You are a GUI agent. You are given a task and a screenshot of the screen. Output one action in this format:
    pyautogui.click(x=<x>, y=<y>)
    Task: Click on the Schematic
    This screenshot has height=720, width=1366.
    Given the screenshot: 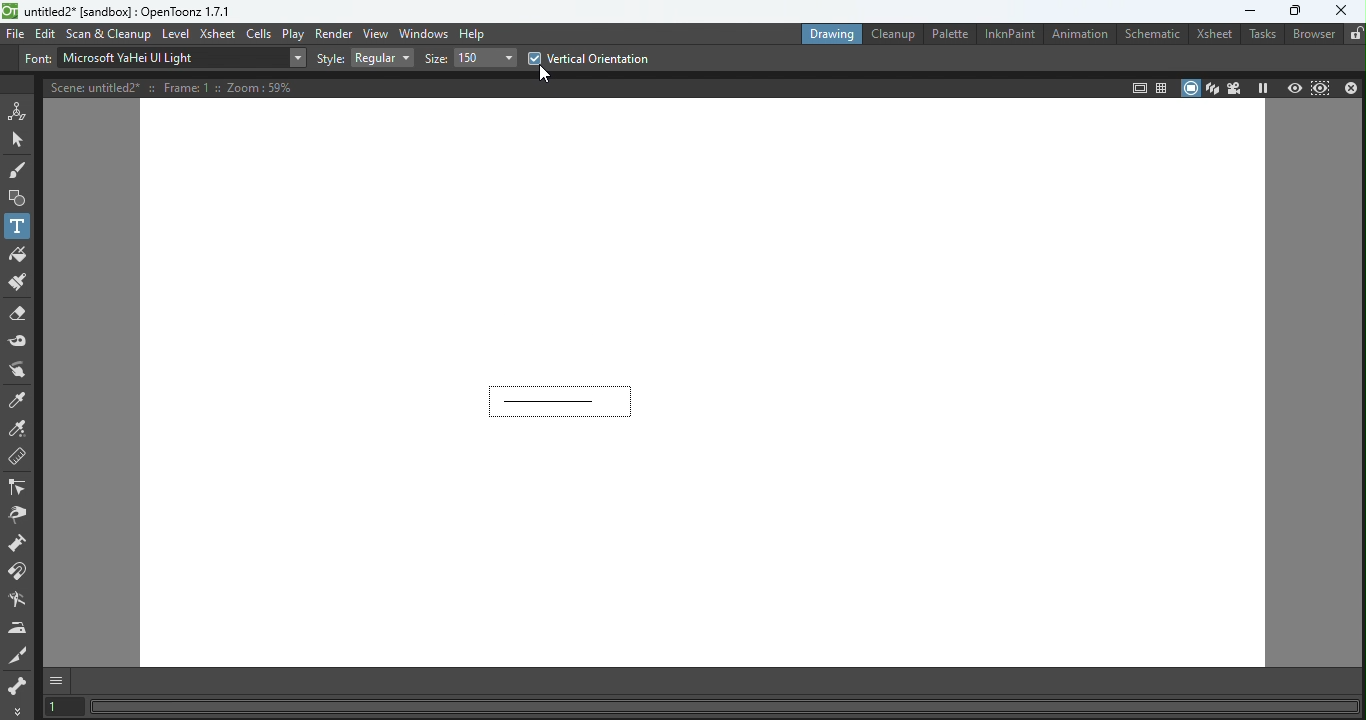 What is the action you would take?
    pyautogui.click(x=1152, y=34)
    